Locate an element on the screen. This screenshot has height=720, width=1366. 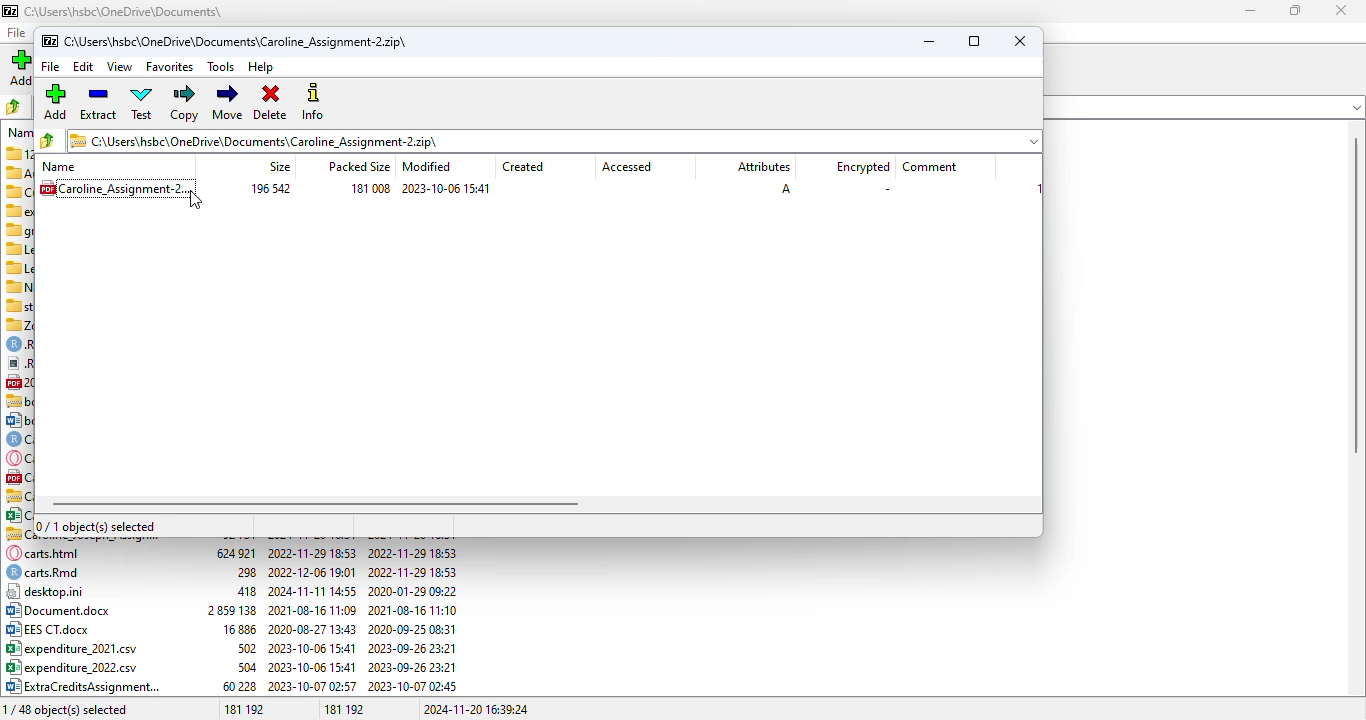
folder is located at coordinates (555, 141).